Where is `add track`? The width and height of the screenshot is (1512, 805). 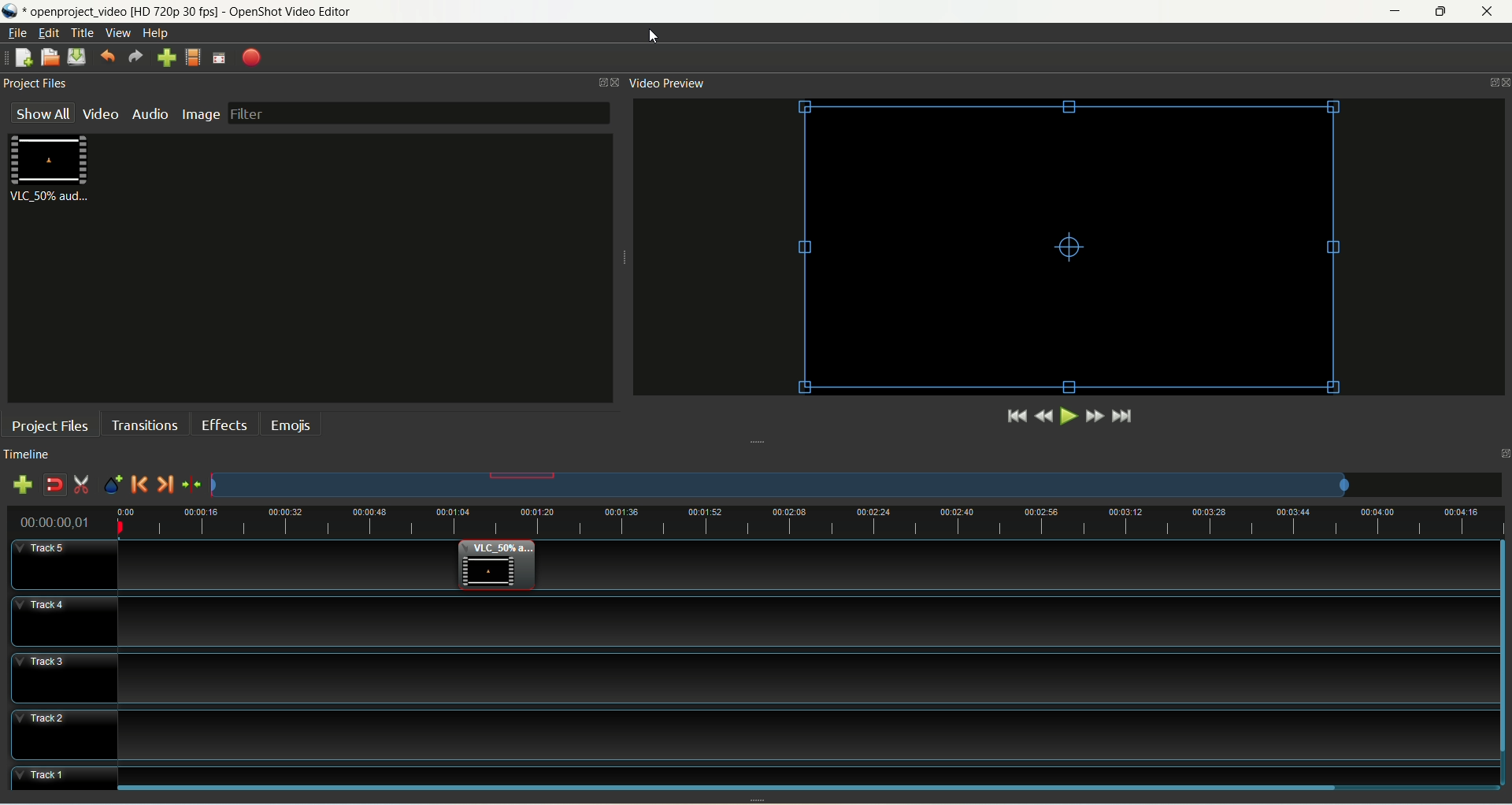 add track is located at coordinates (20, 484).